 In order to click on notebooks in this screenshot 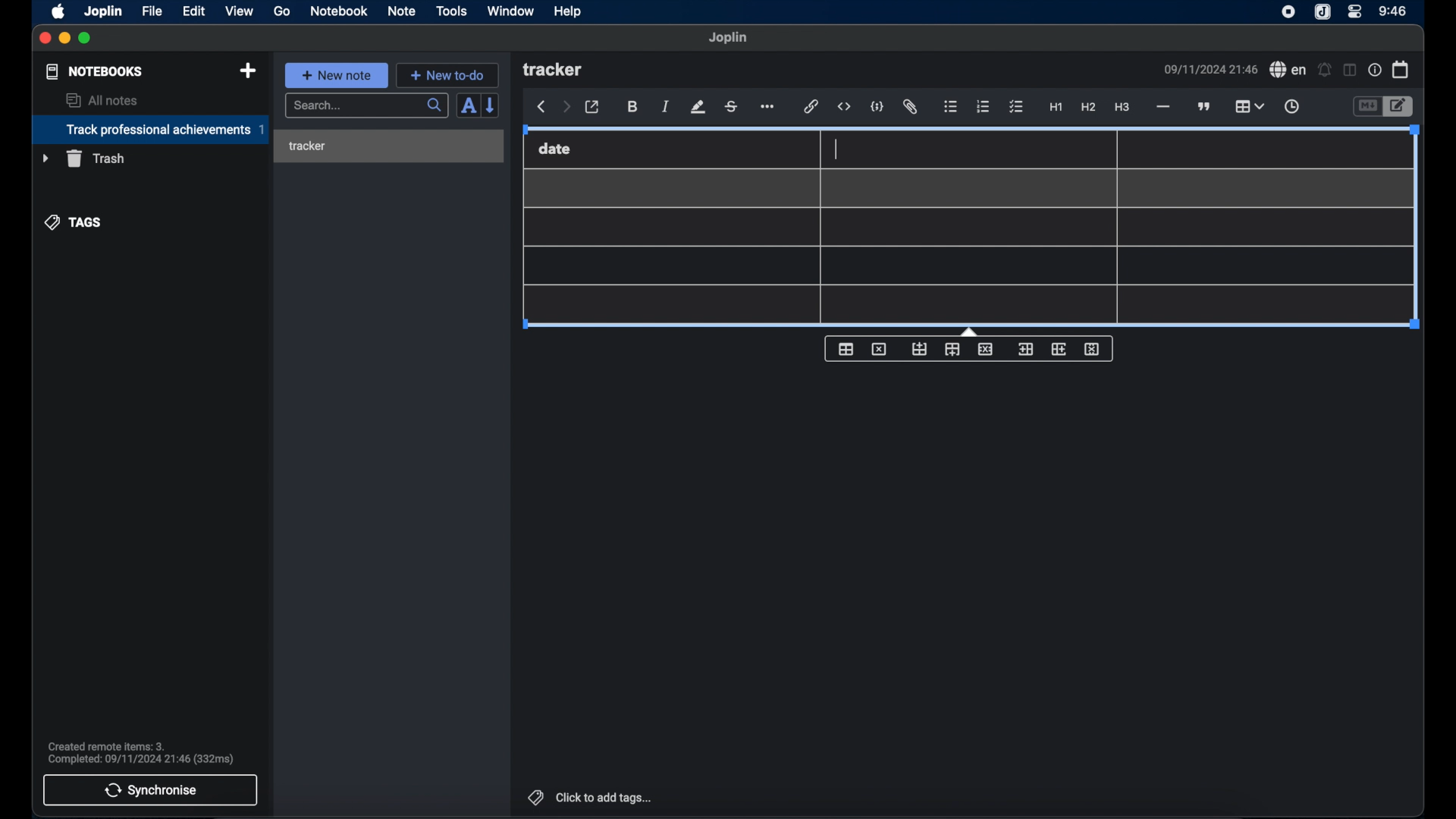, I will do `click(93, 71)`.